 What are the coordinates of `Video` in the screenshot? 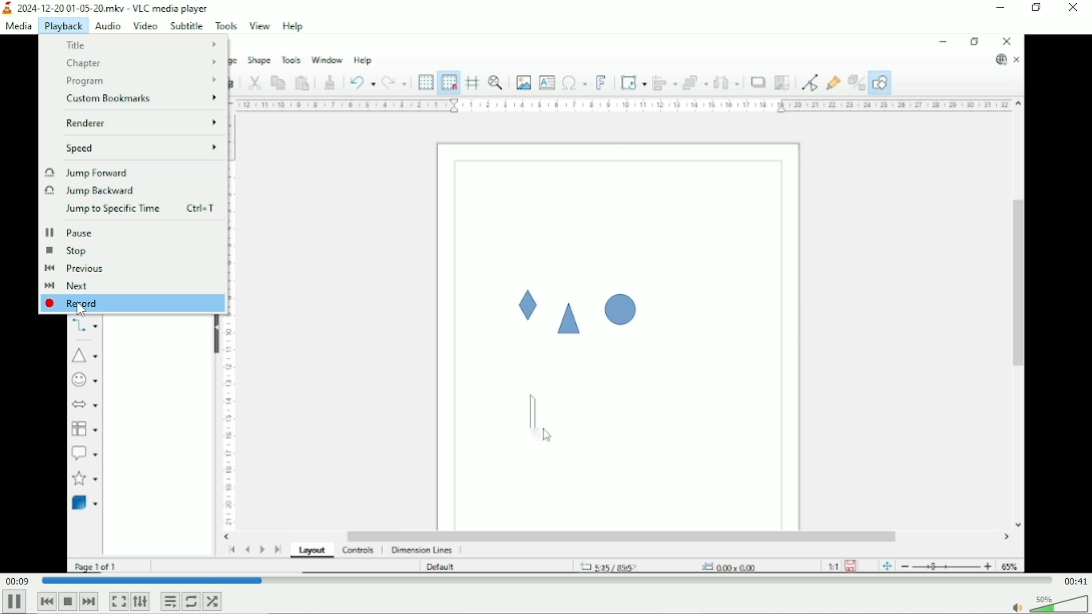 It's located at (634, 304).